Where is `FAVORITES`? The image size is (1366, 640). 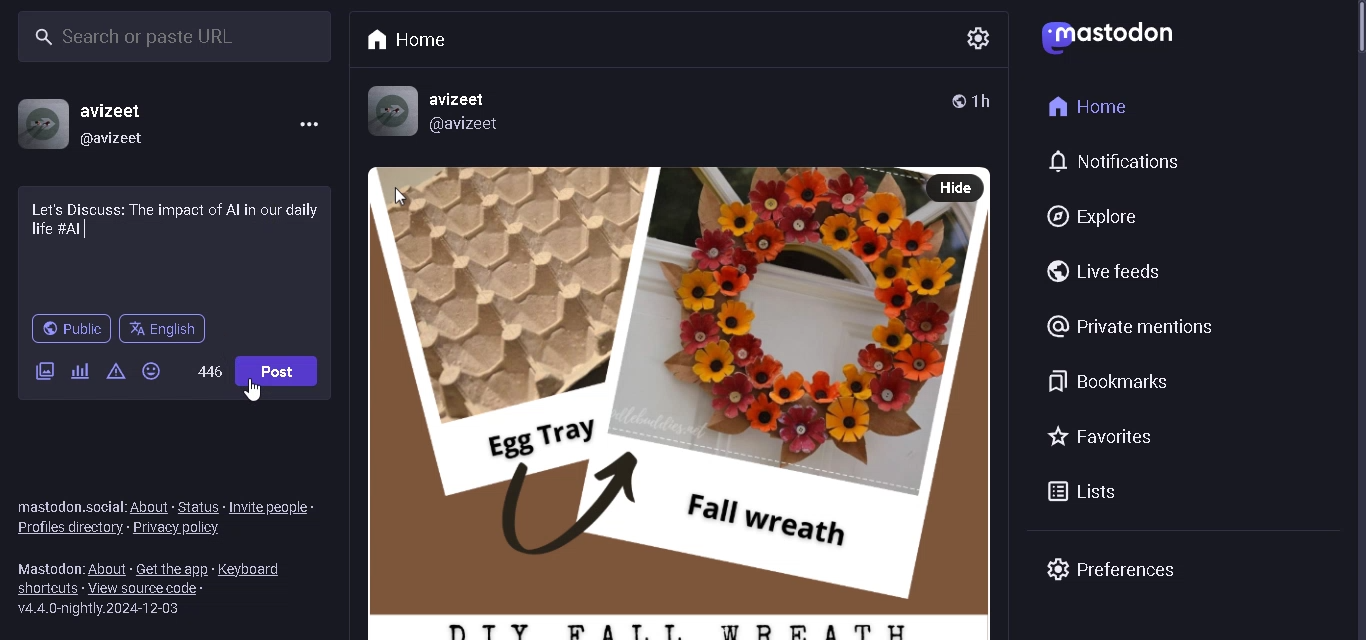
FAVORITES is located at coordinates (1101, 438).